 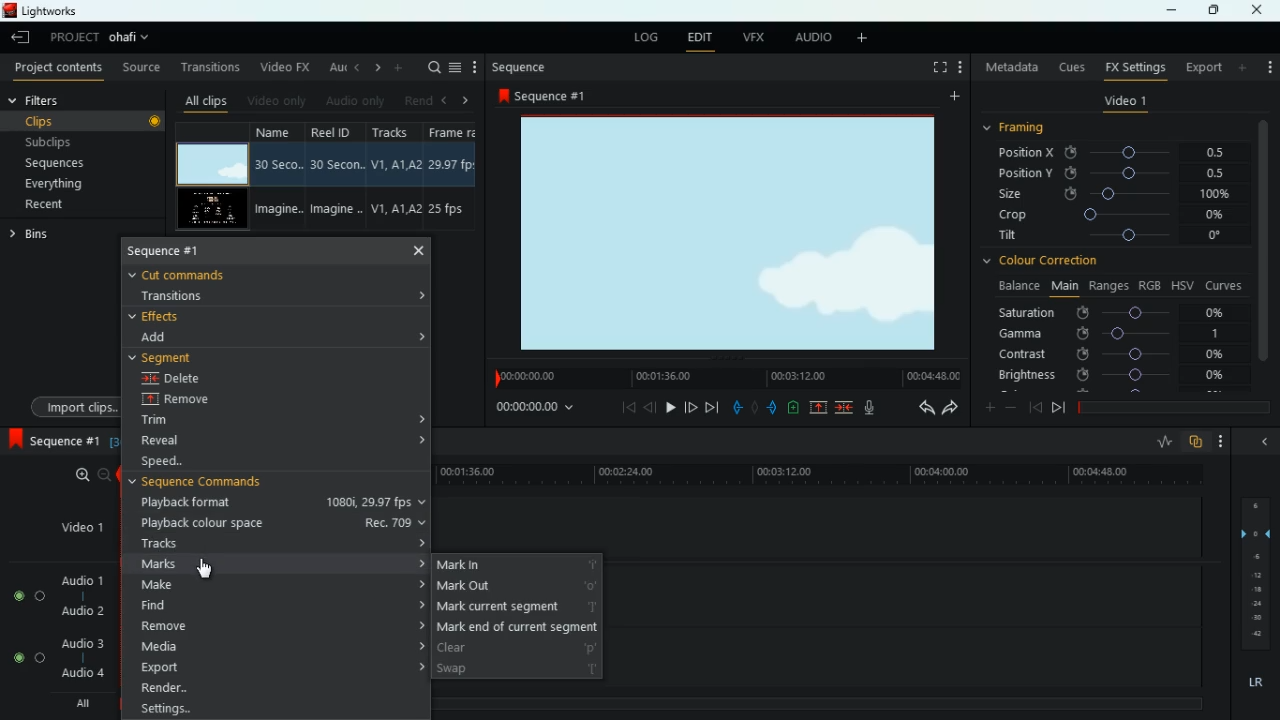 I want to click on playback colour space  Rec.709, so click(x=284, y=523).